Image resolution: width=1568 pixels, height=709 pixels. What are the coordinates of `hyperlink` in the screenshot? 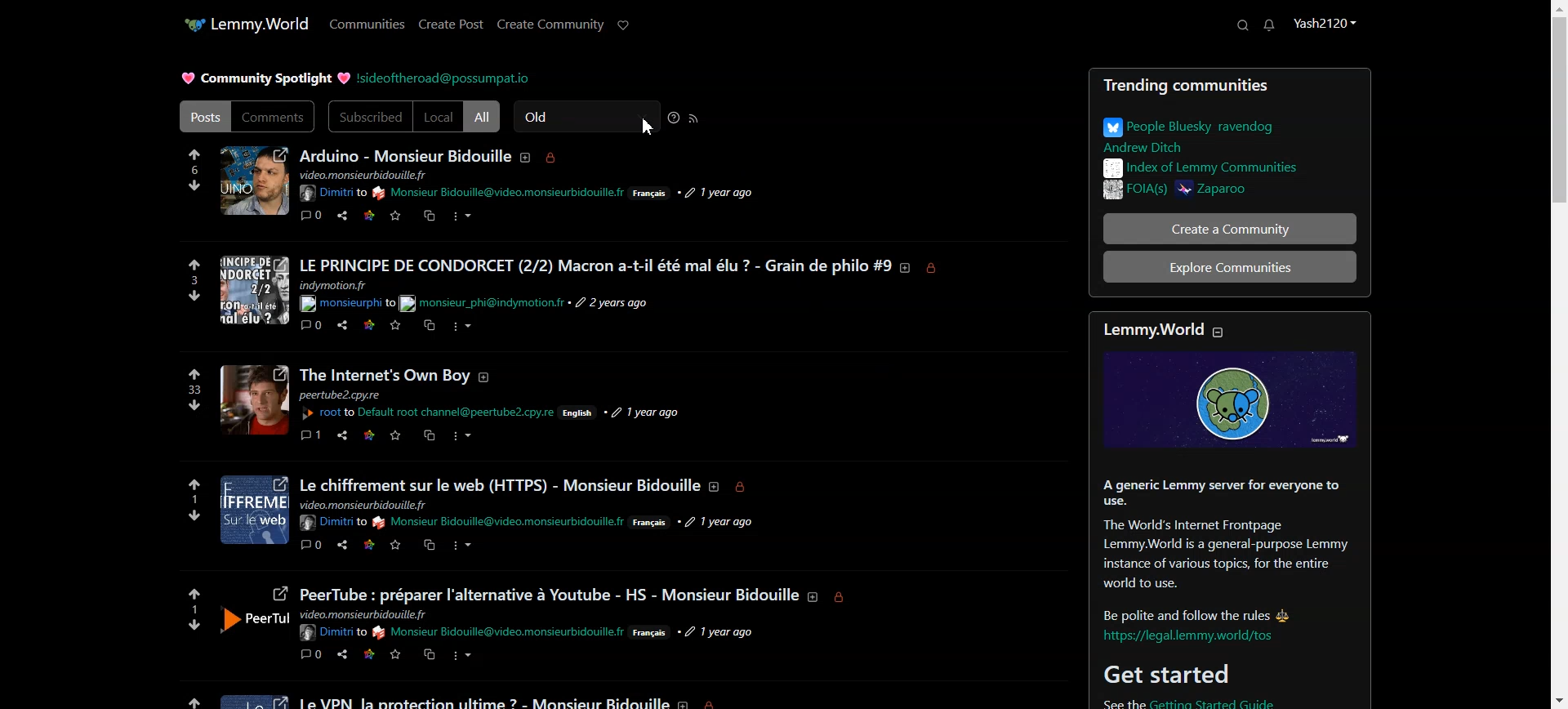 It's located at (1193, 637).